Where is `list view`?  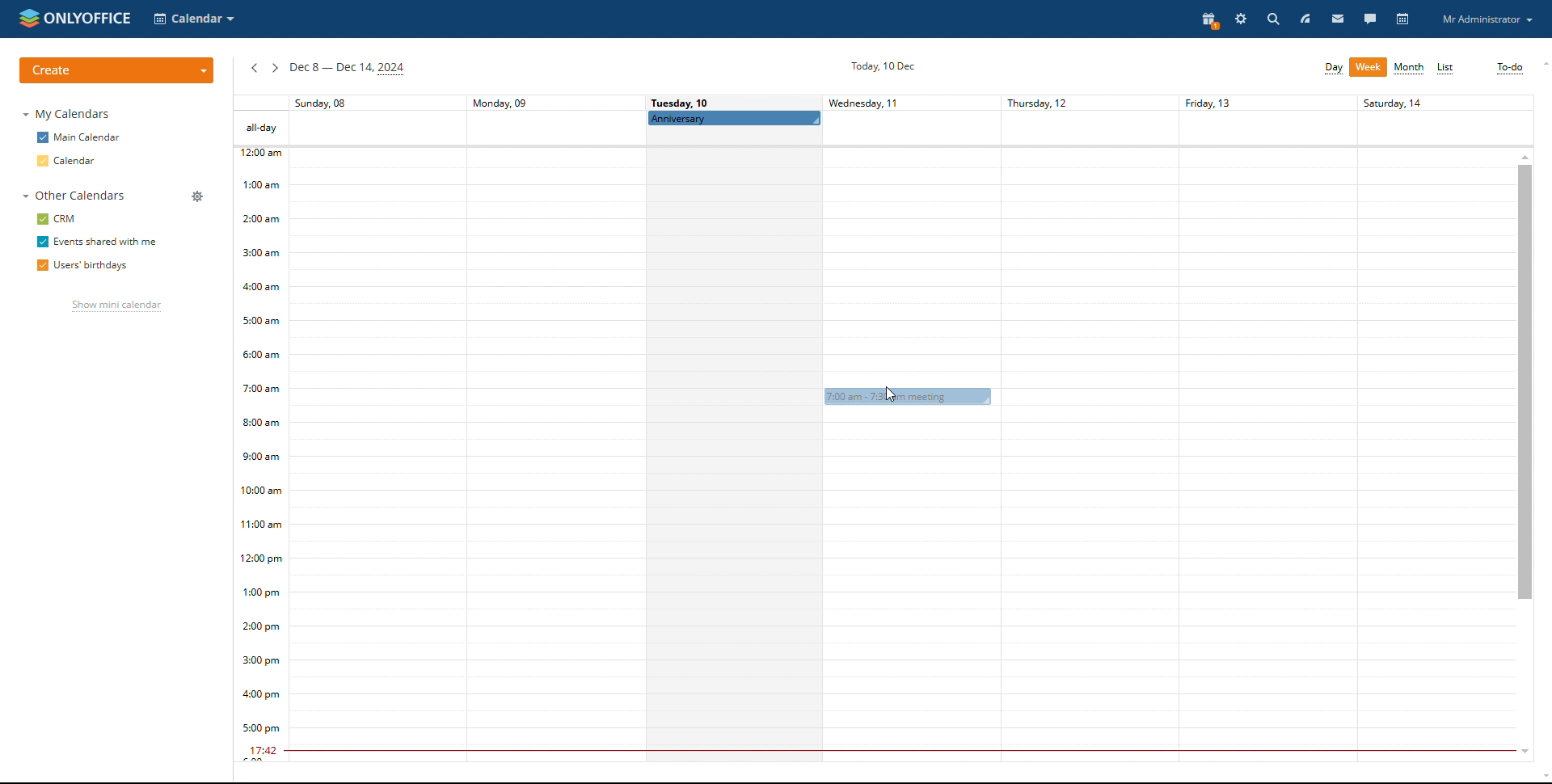 list view is located at coordinates (1447, 69).